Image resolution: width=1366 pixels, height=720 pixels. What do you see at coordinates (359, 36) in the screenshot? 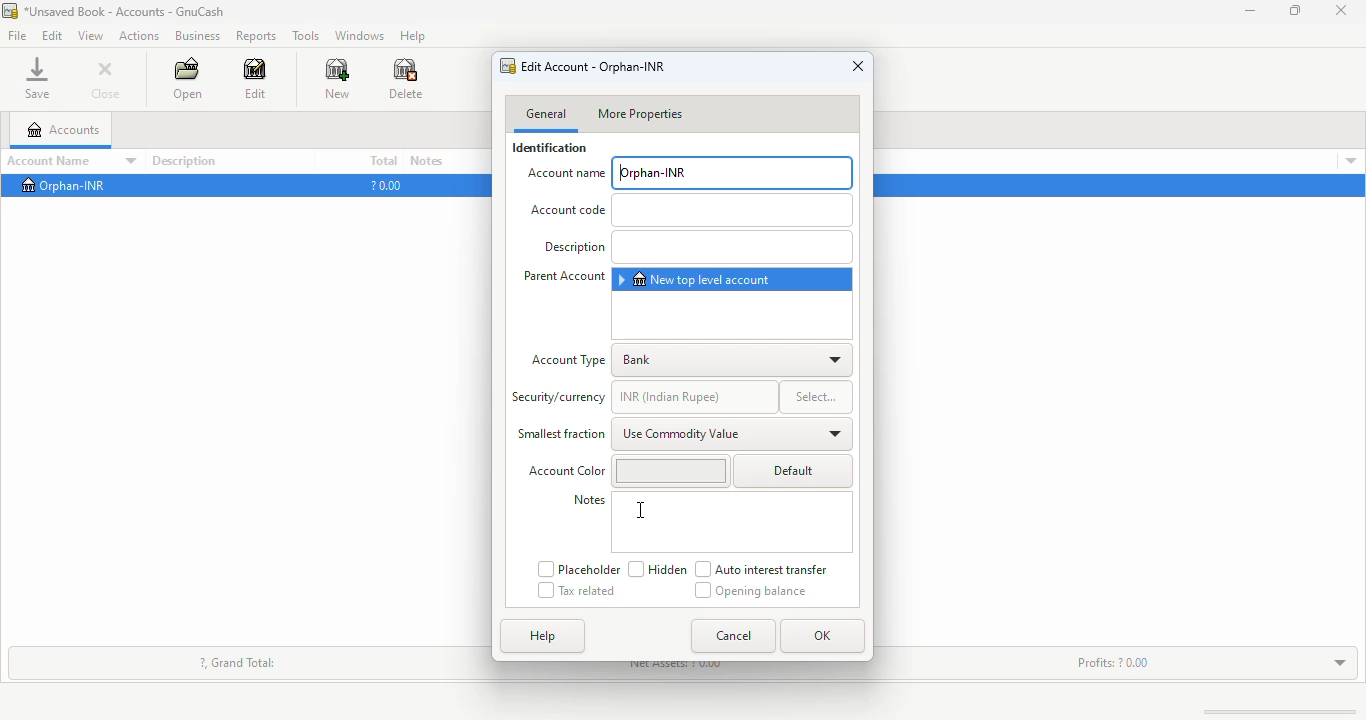
I see `windows` at bounding box center [359, 36].